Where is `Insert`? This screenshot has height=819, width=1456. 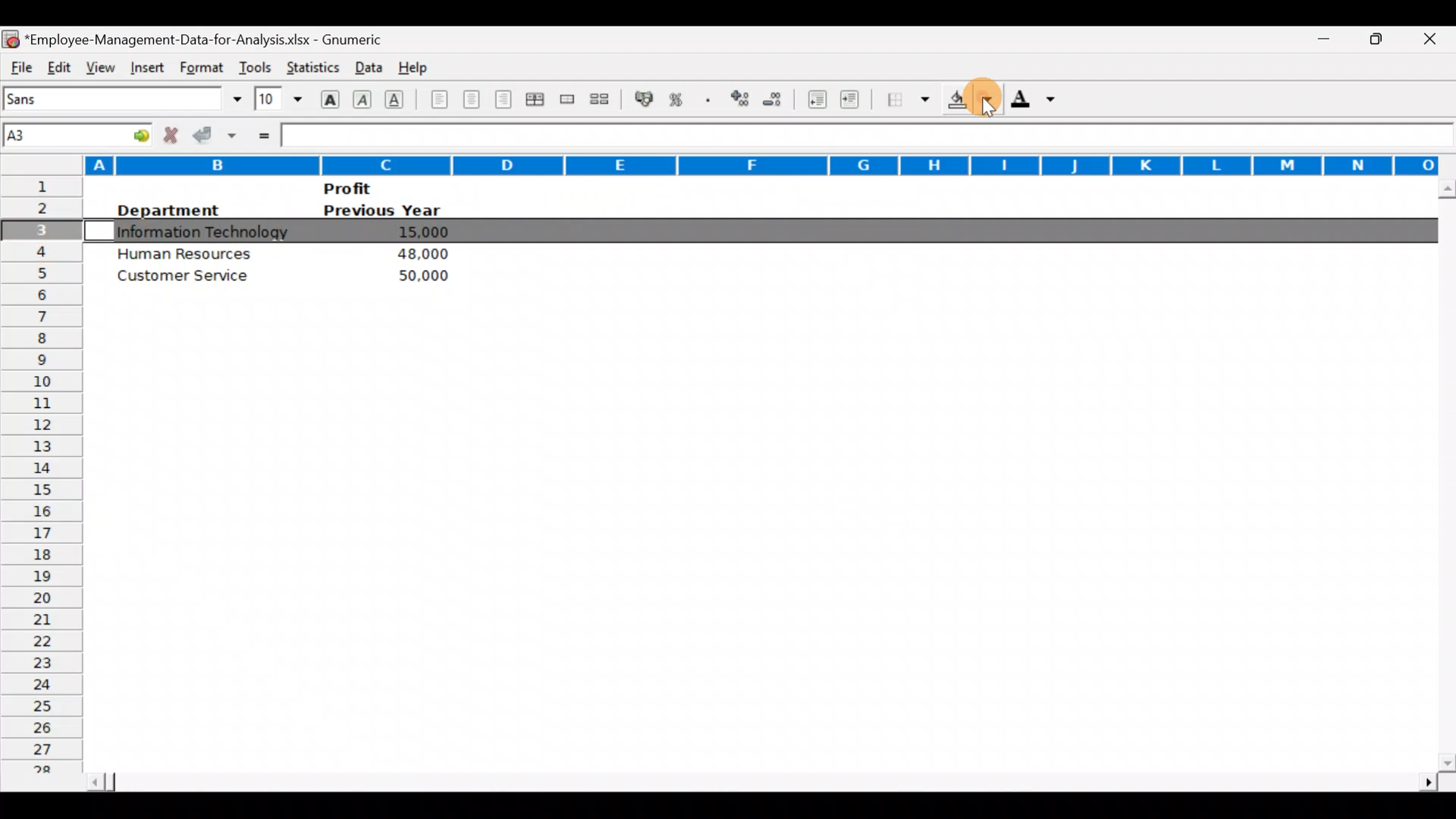
Insert is located at coordinates (145, 65).